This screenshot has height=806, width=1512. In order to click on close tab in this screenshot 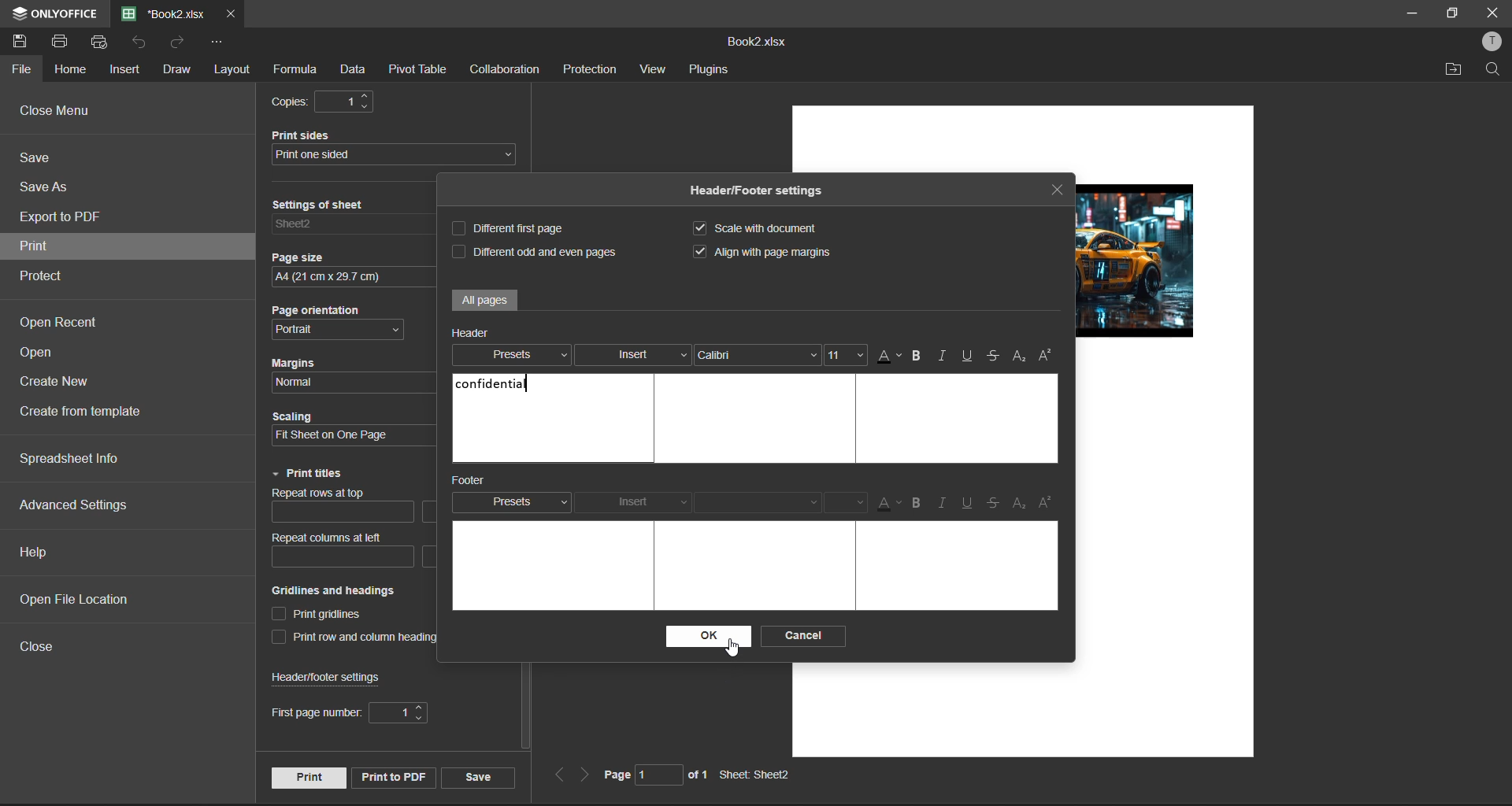, I will do `click(1058, 192)`.